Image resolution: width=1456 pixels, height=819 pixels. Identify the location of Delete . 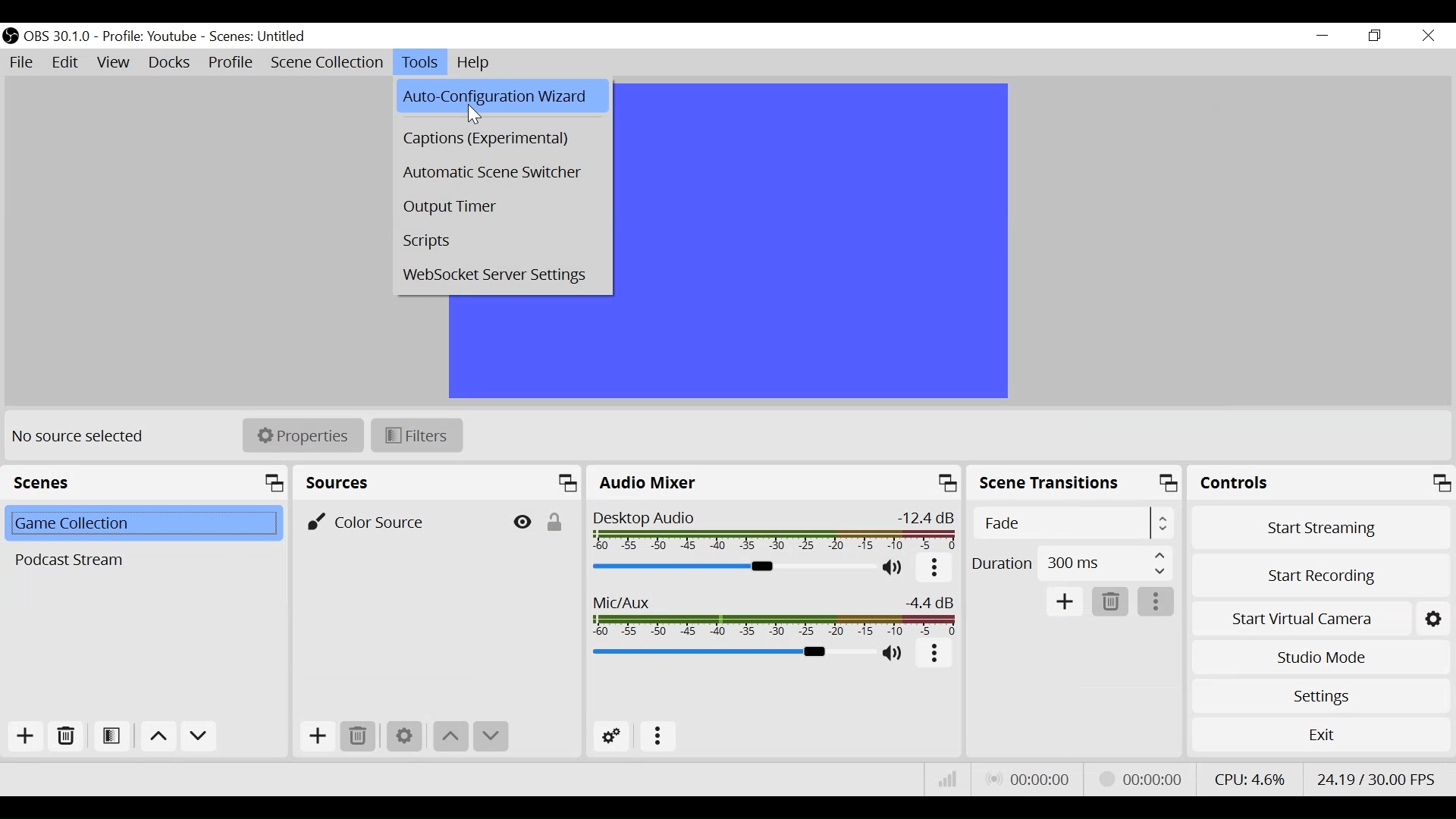
(1112, 602).